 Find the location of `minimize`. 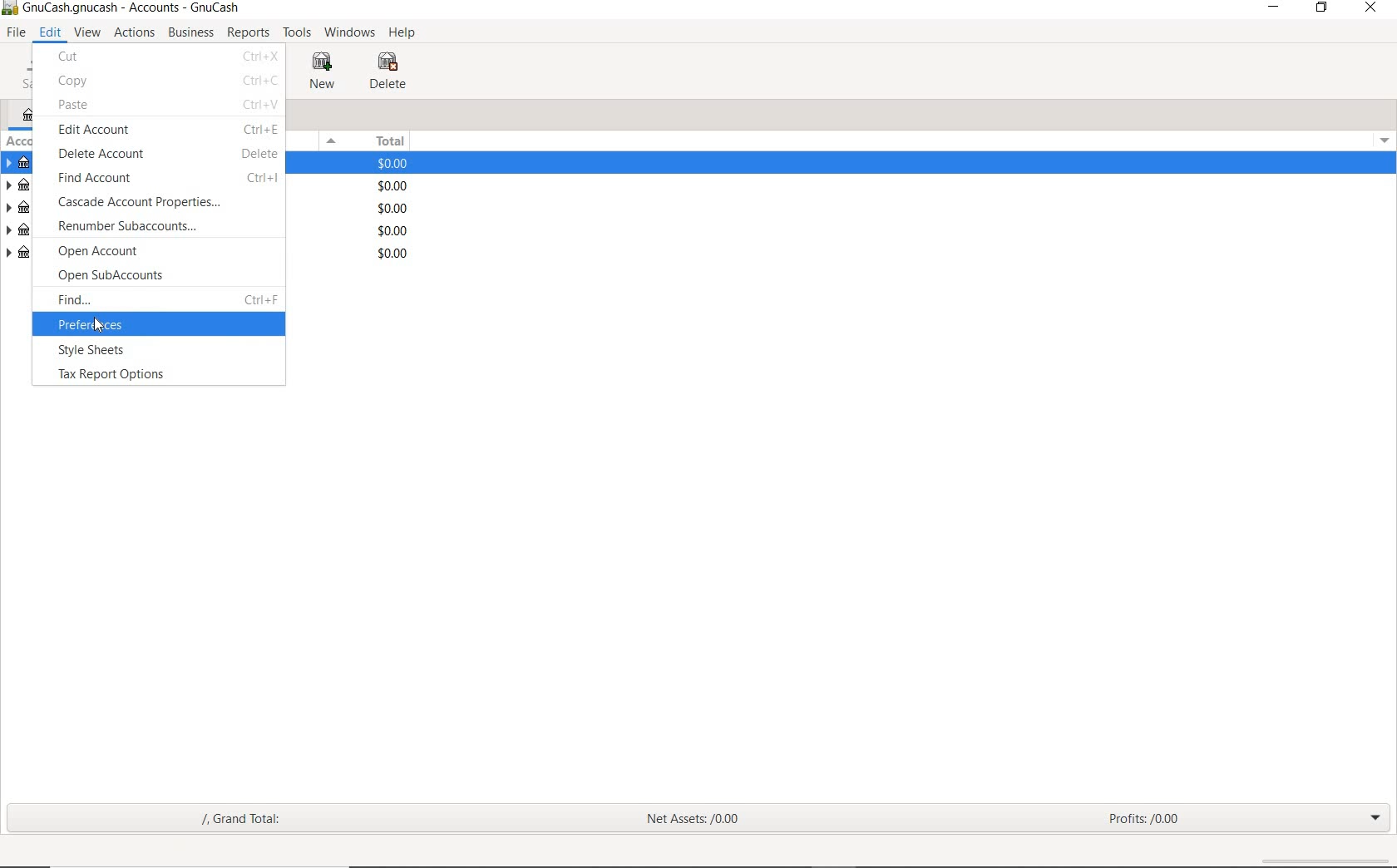

minimize is located at coordinates (1271, 8).